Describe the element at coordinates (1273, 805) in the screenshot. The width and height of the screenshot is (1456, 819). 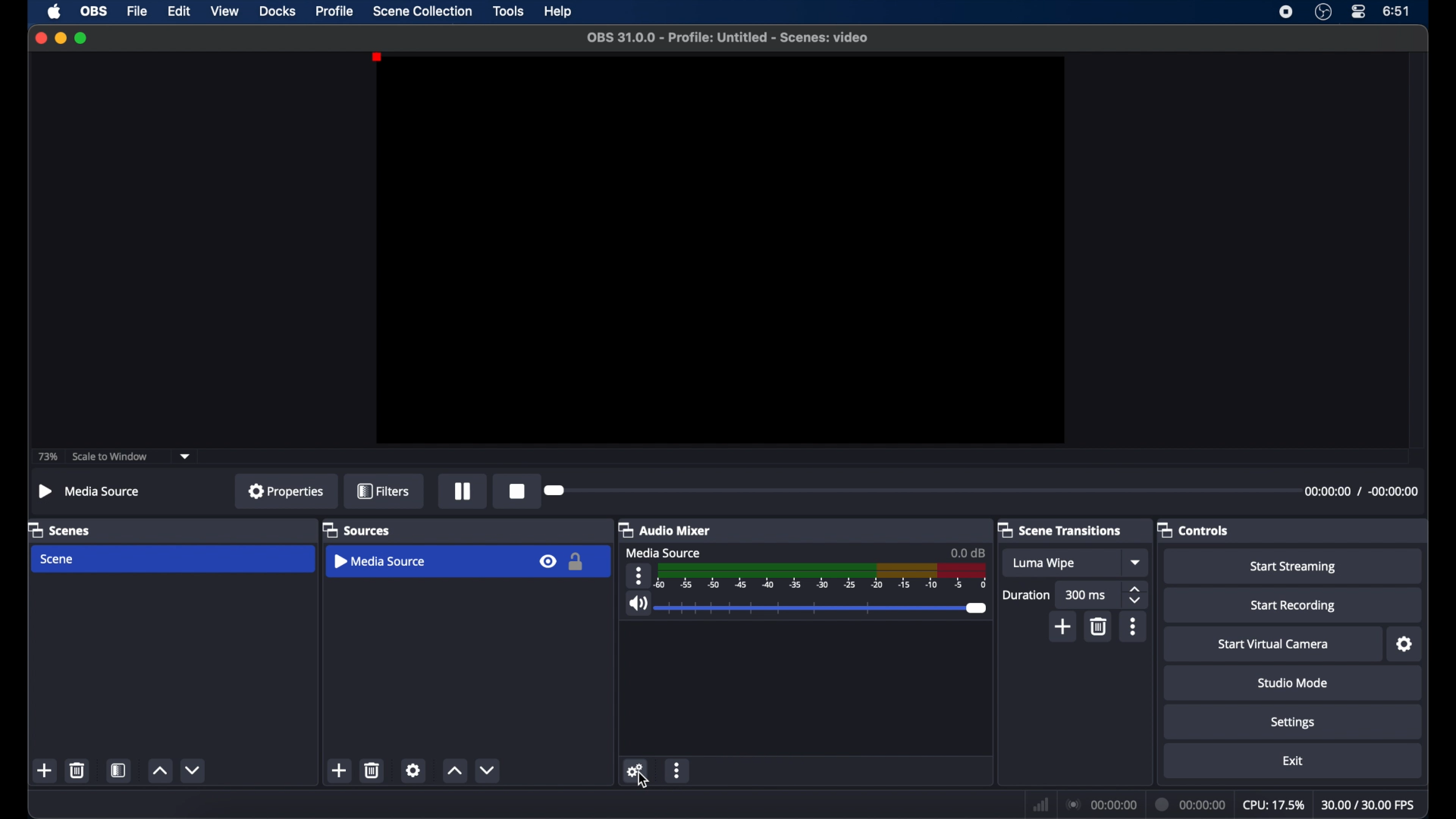
I see `cpu` at that location.